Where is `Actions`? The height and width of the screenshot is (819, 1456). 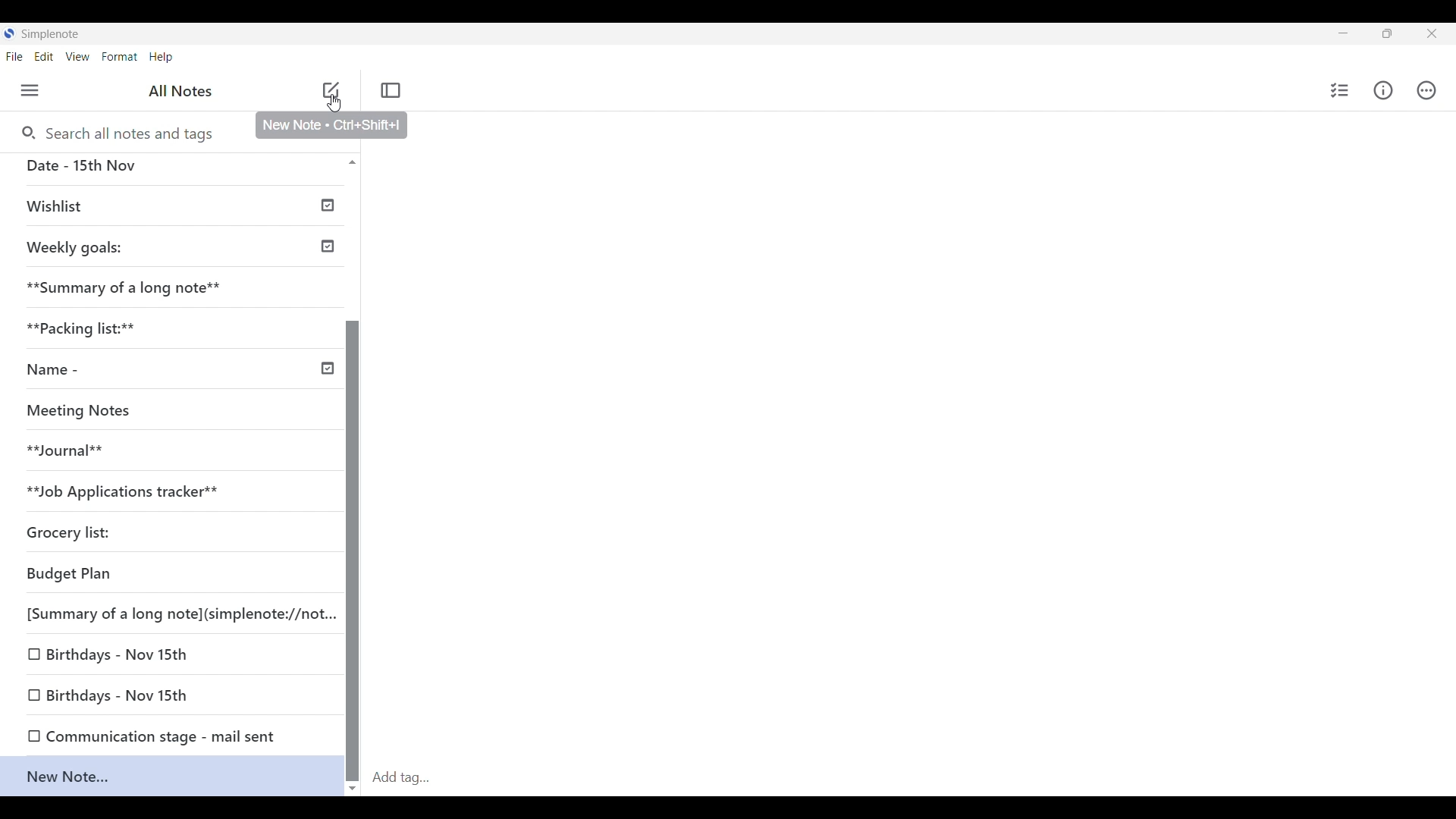 Actions is located at coordinates (1426, 91).